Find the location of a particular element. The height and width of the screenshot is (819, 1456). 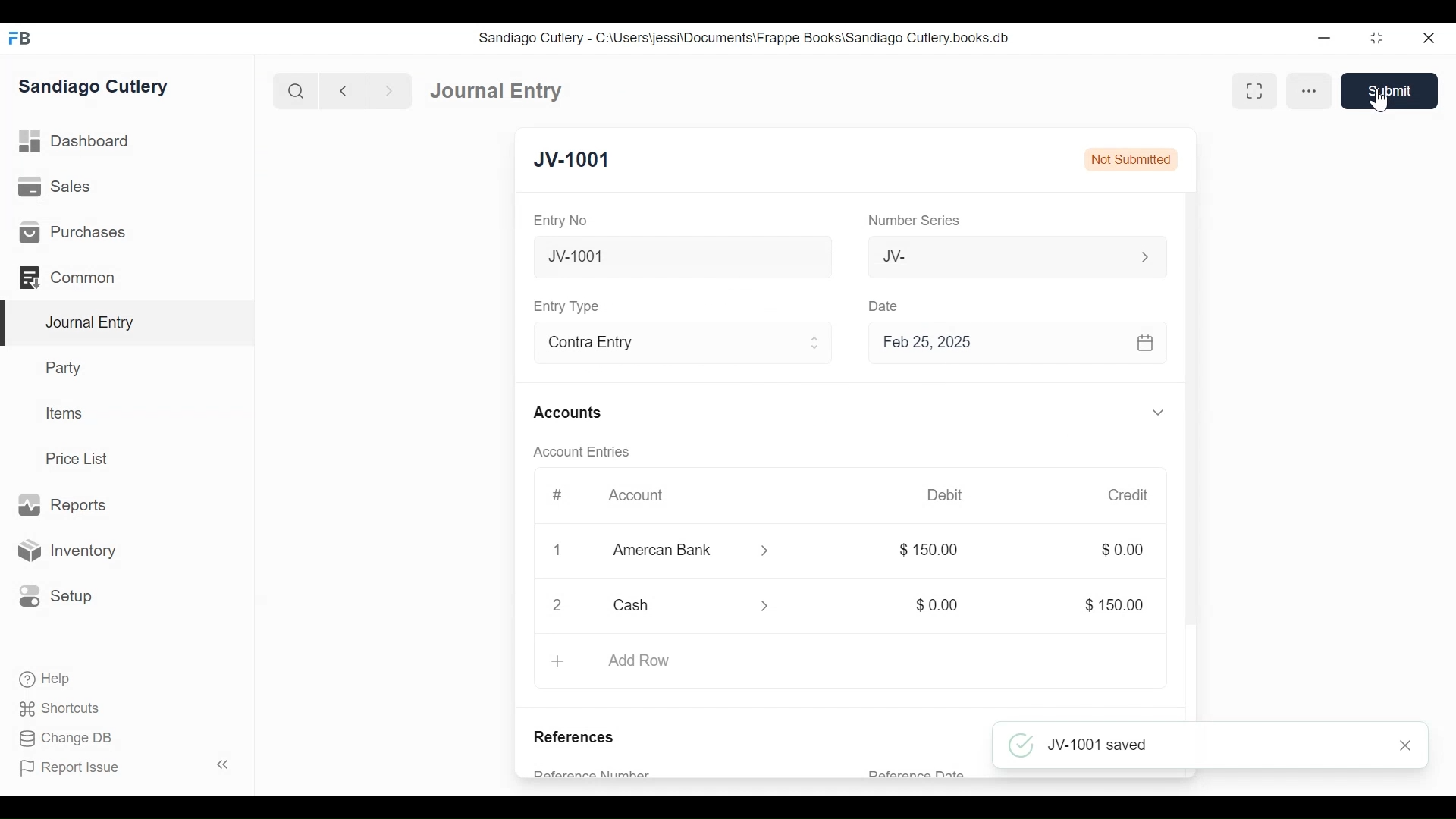

Accounts is located at coordinates (572, 414).